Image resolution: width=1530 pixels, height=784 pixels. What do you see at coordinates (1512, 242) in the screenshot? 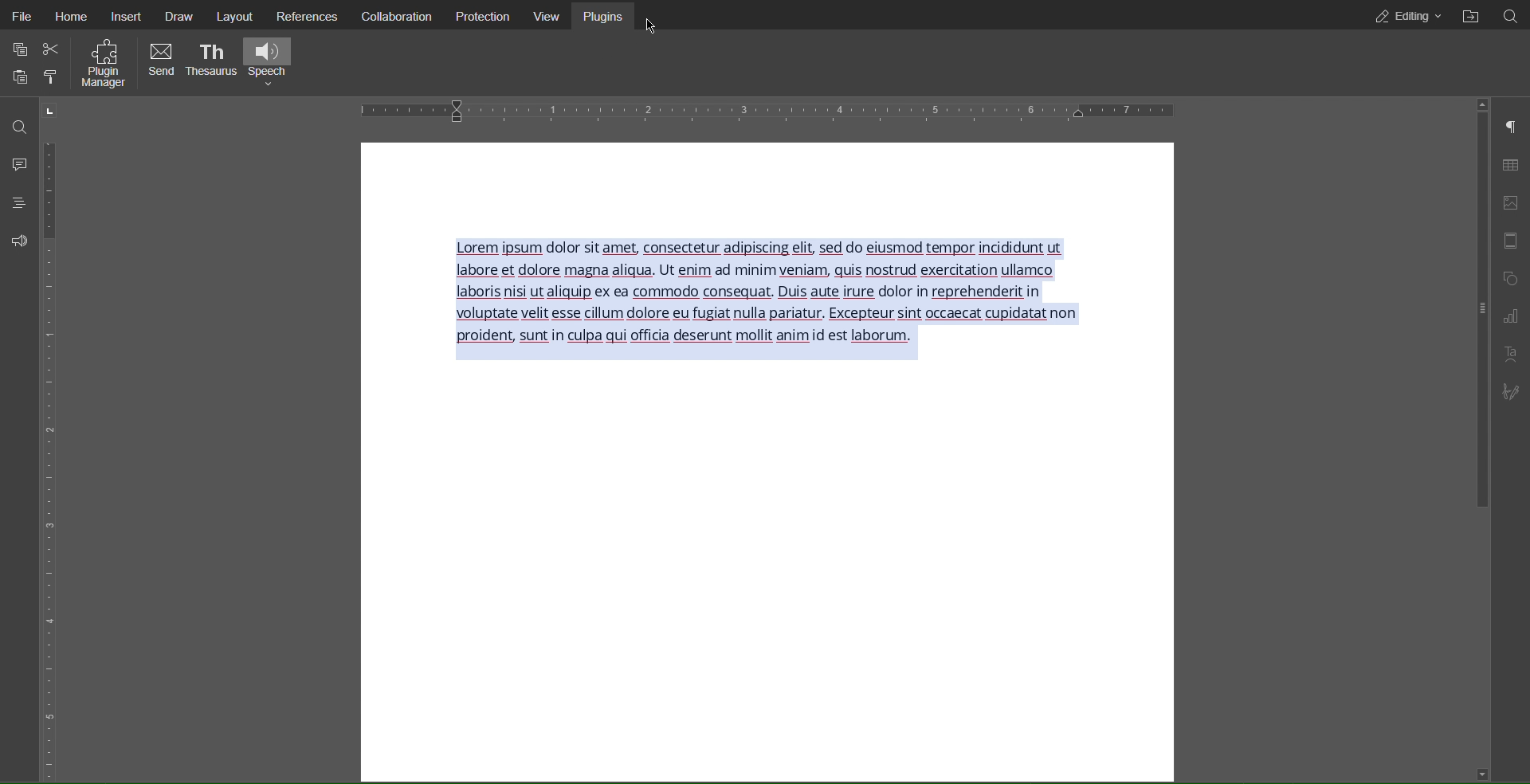
I see `Header Footer` at bounding box center [1512, 242].